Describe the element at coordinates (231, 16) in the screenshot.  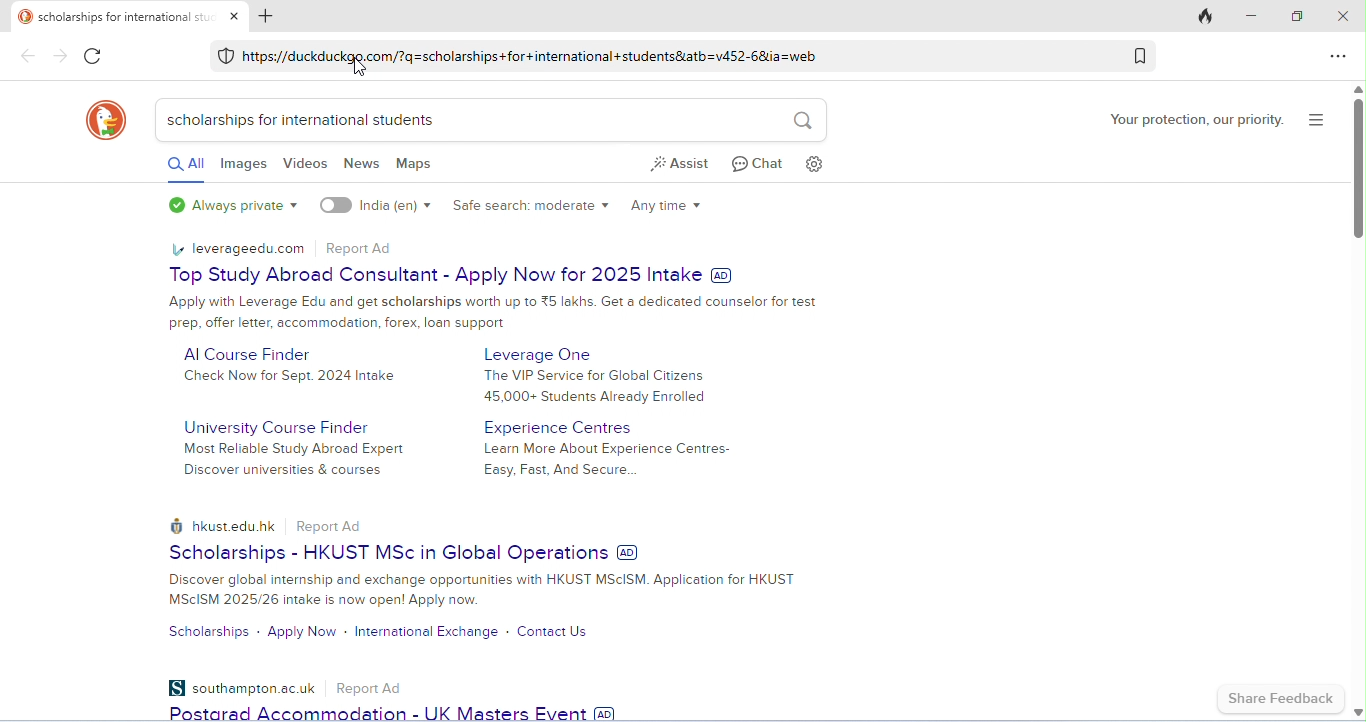
I see `close` at that location.